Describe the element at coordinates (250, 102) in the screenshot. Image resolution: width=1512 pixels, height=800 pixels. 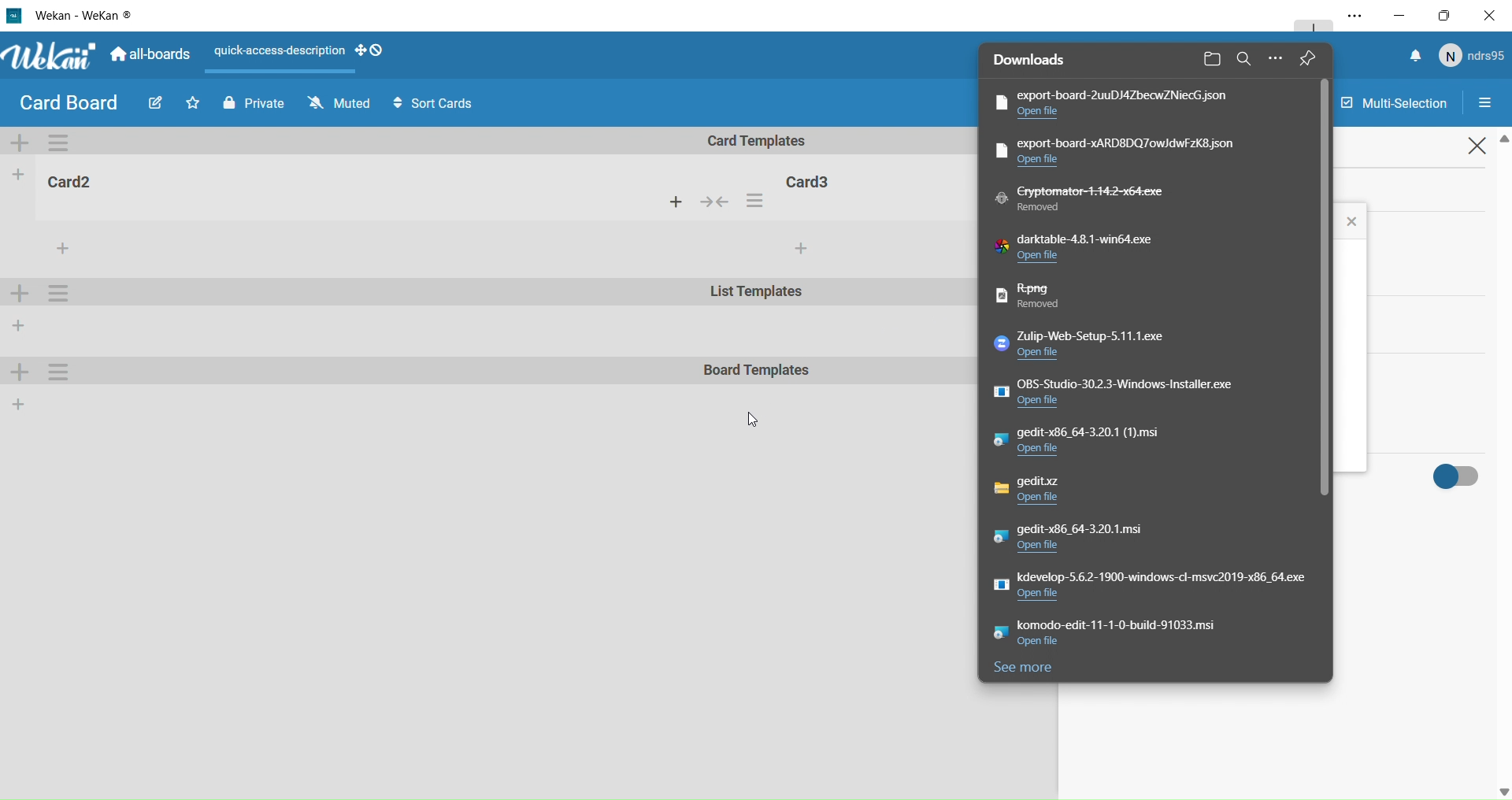
I see `Private` at that location.